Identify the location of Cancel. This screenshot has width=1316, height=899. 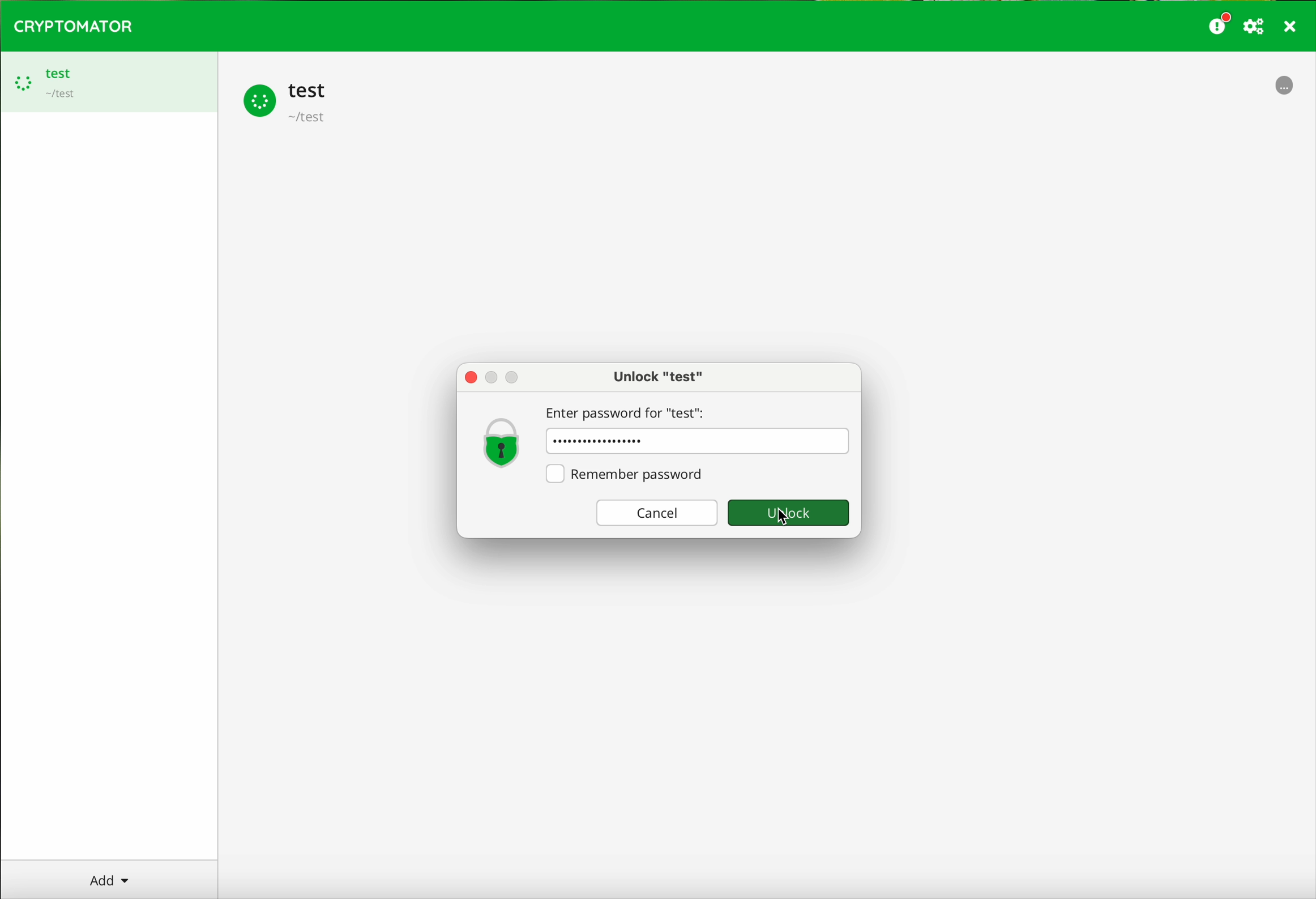
(652, 513).